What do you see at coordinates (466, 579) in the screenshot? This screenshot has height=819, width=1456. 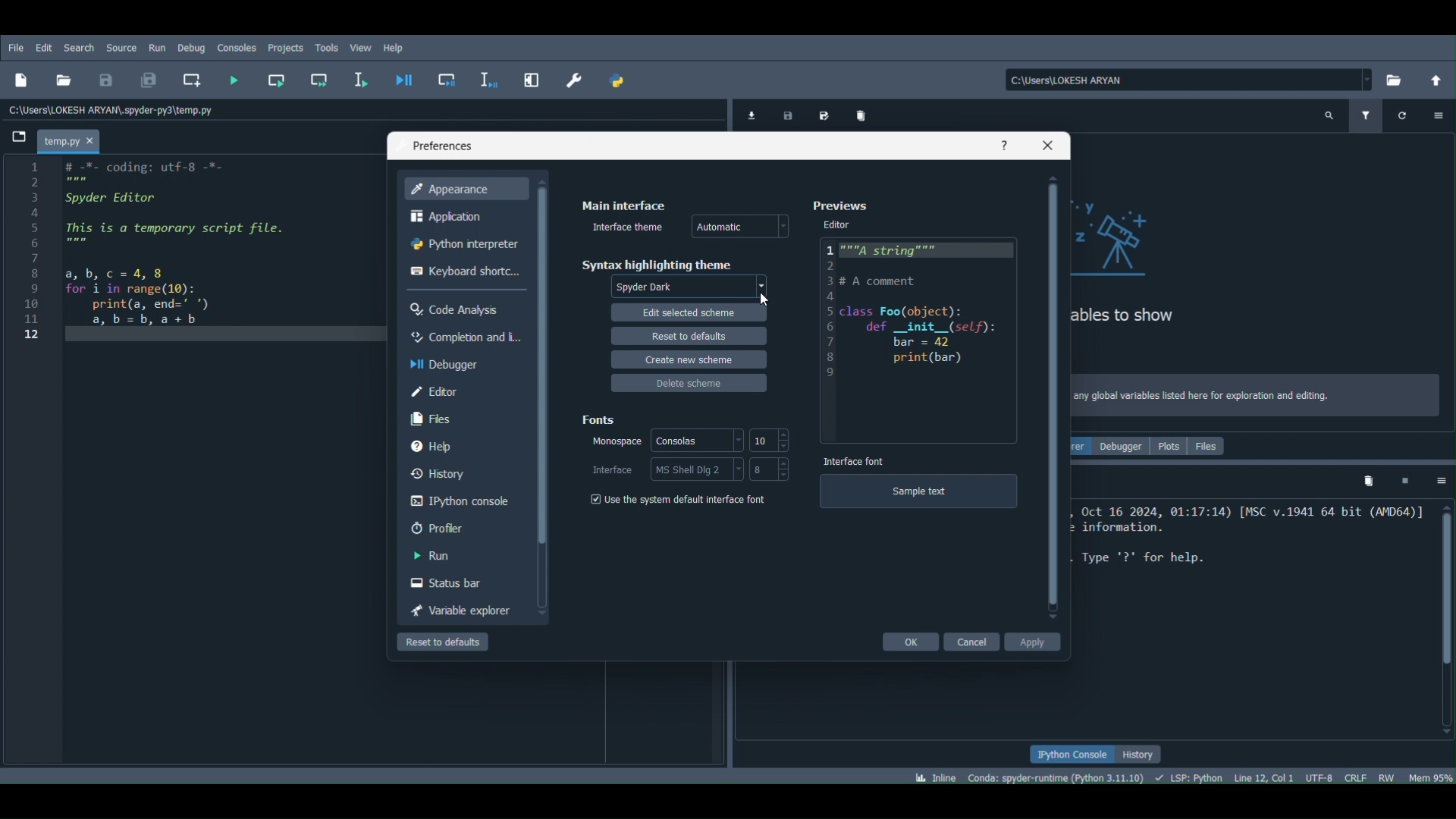 I see `Status bar` at bounding box center [466, 579].